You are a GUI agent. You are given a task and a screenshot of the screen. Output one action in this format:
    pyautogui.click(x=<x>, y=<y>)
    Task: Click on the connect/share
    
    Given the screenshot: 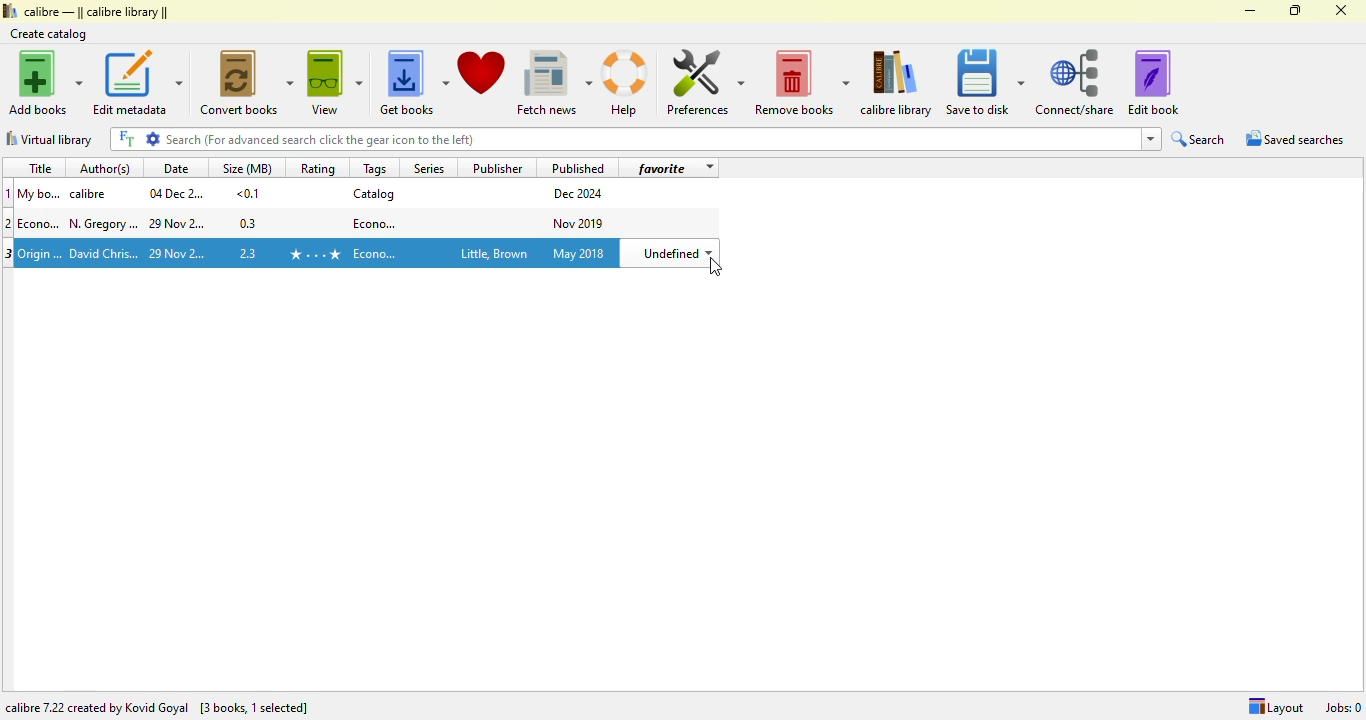 What is the action you would take?
    pyautogui.click(x=1075, y=82)
    